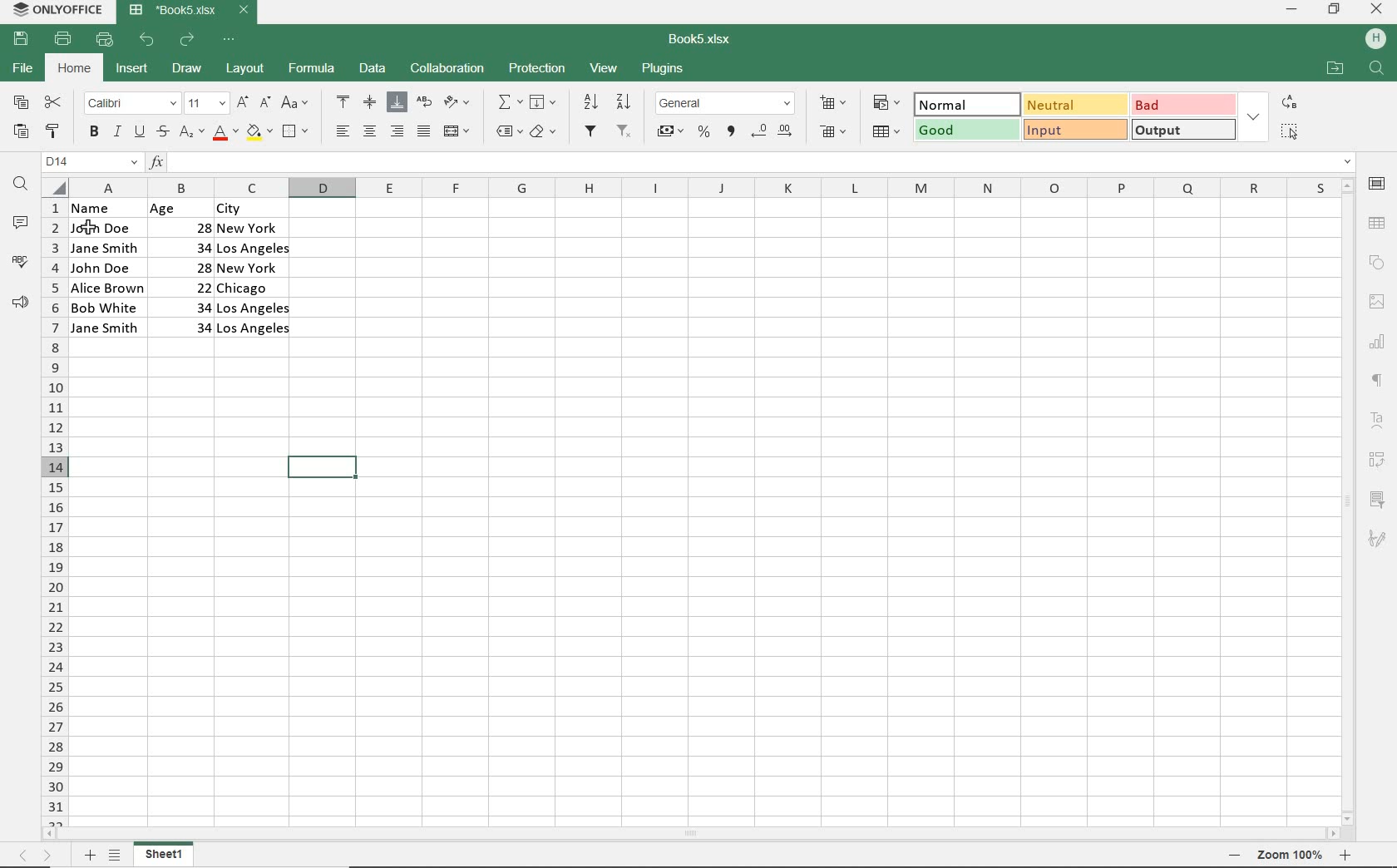 The width and height of the screenshot is (1397, 868). I want to click on UNDO, so click(149, 40).